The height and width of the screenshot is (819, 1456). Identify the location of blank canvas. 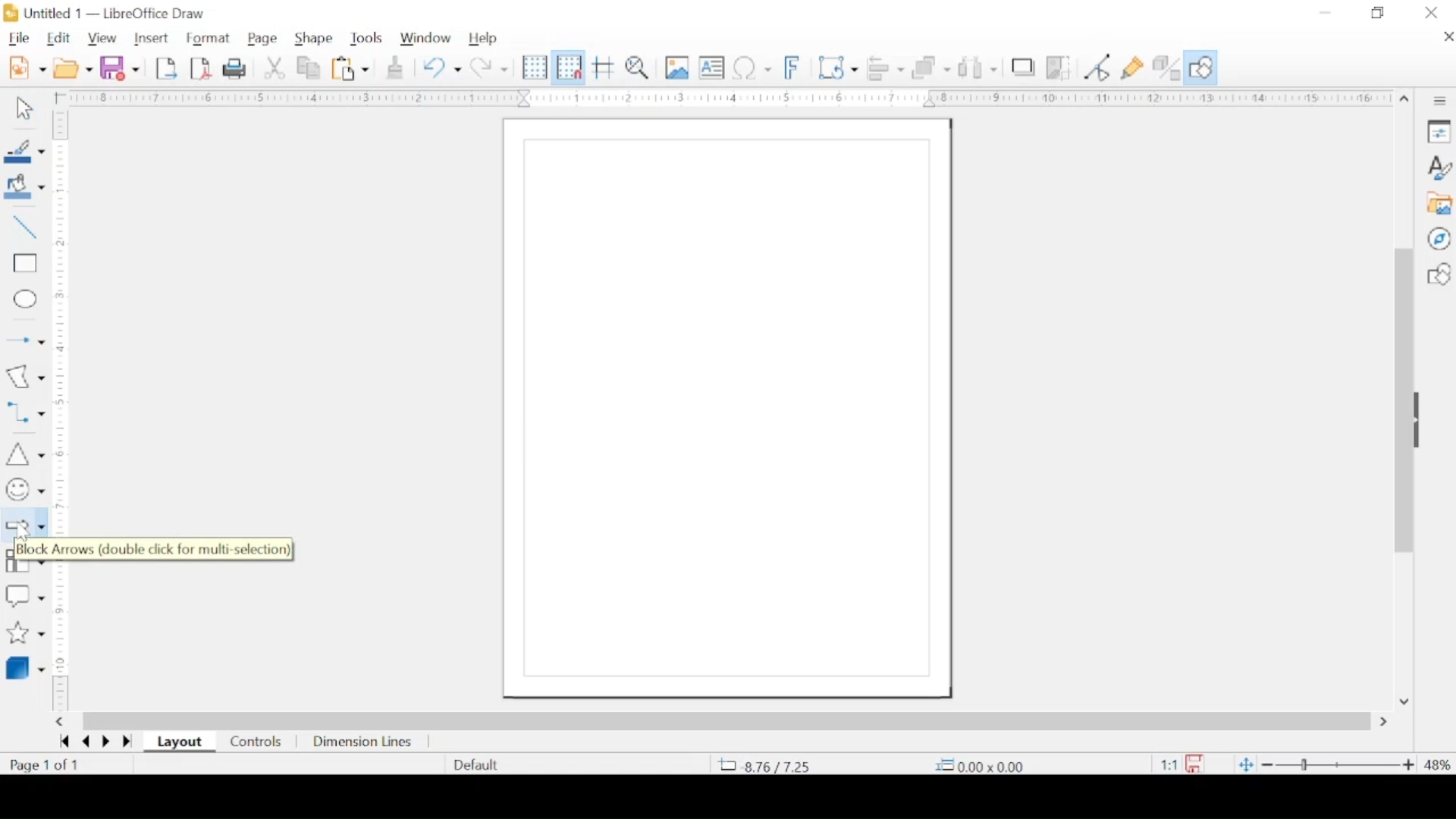
(723, 410).